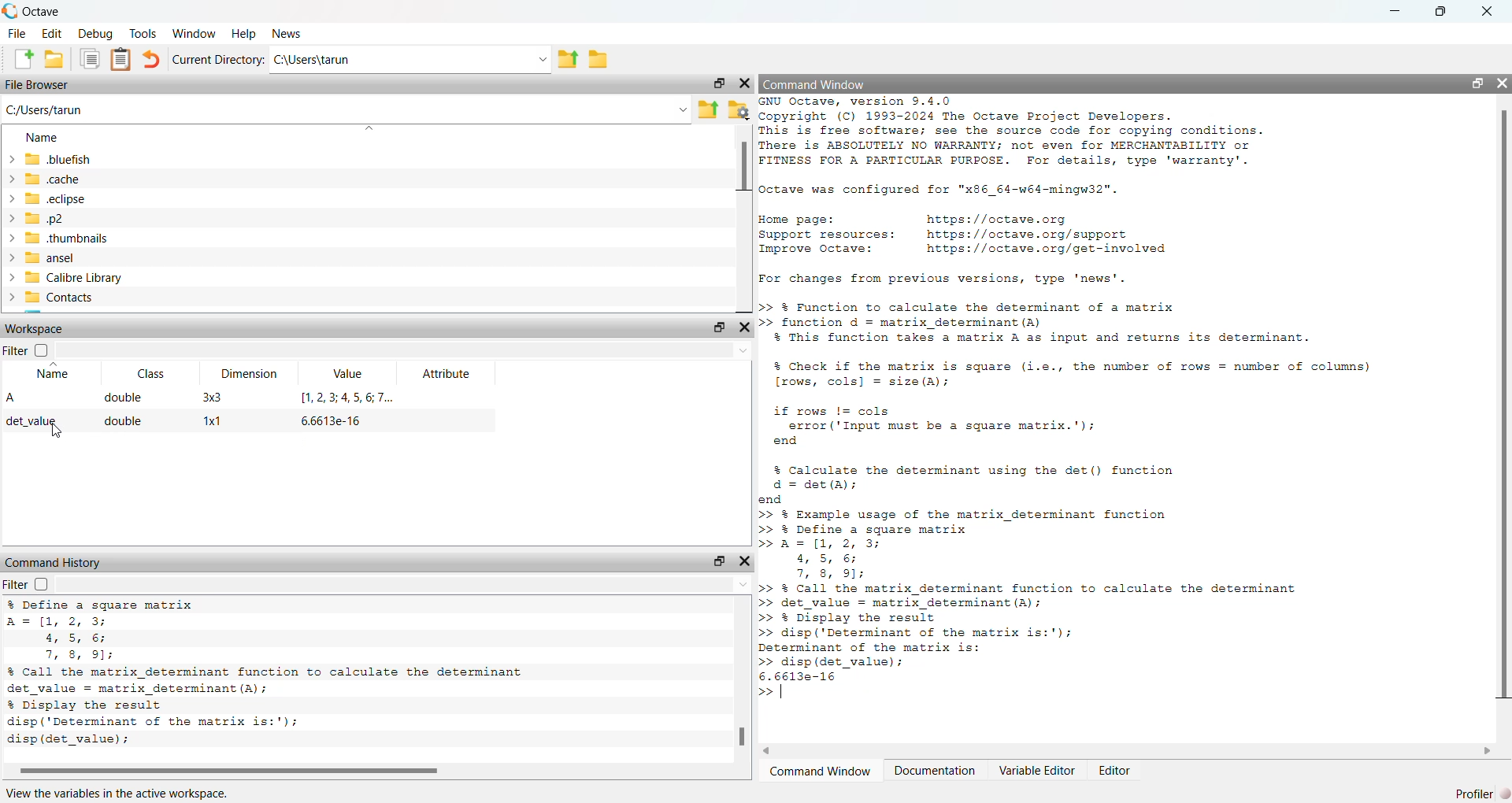 This screenshot has height=803, width=1512. I want to click on dimension, so click(251, 375).